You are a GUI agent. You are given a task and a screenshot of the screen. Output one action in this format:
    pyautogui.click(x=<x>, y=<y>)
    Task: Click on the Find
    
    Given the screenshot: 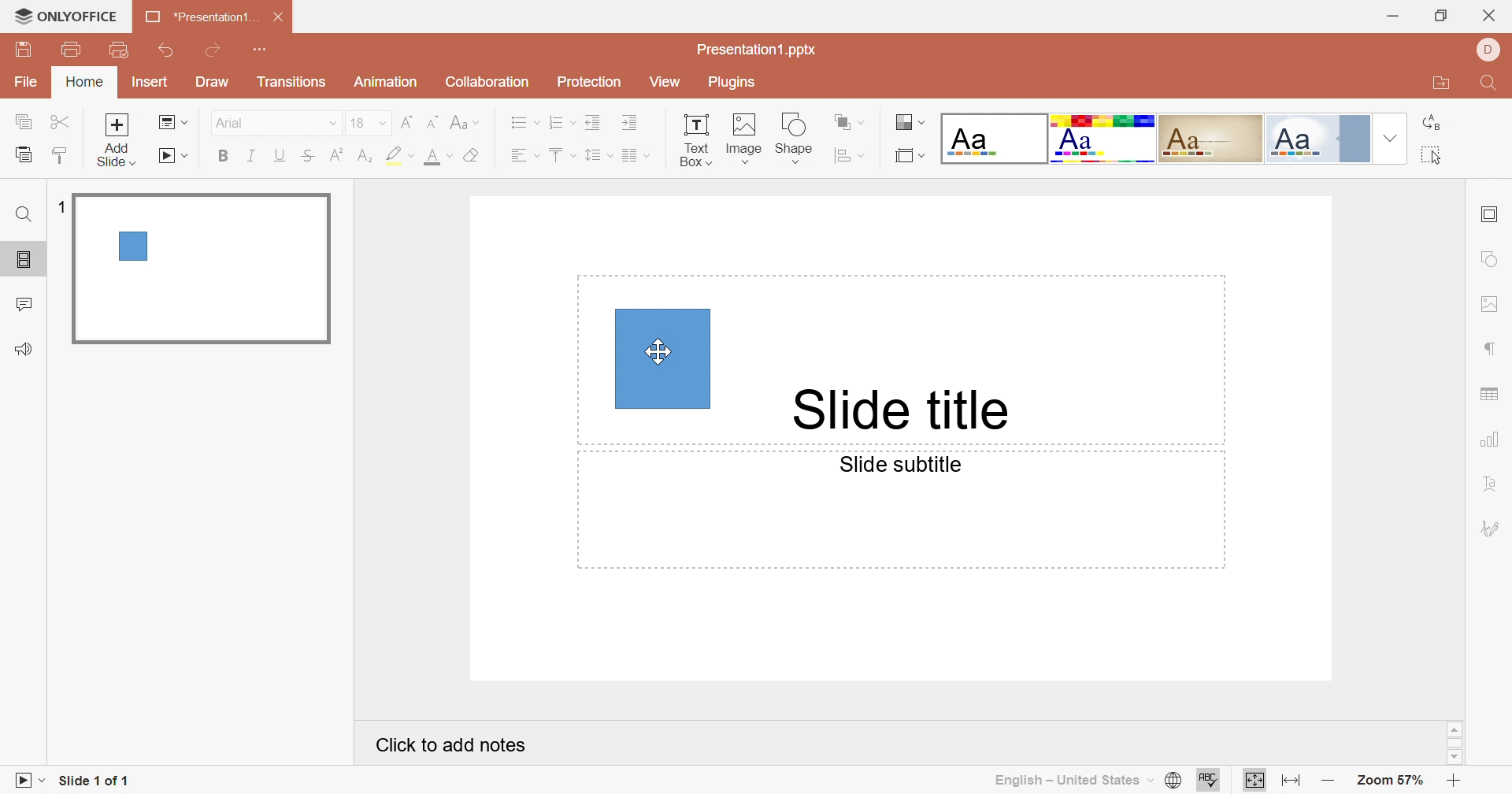 What is the action you would take?
    pyautogui.click(x=1491, y=82)
    